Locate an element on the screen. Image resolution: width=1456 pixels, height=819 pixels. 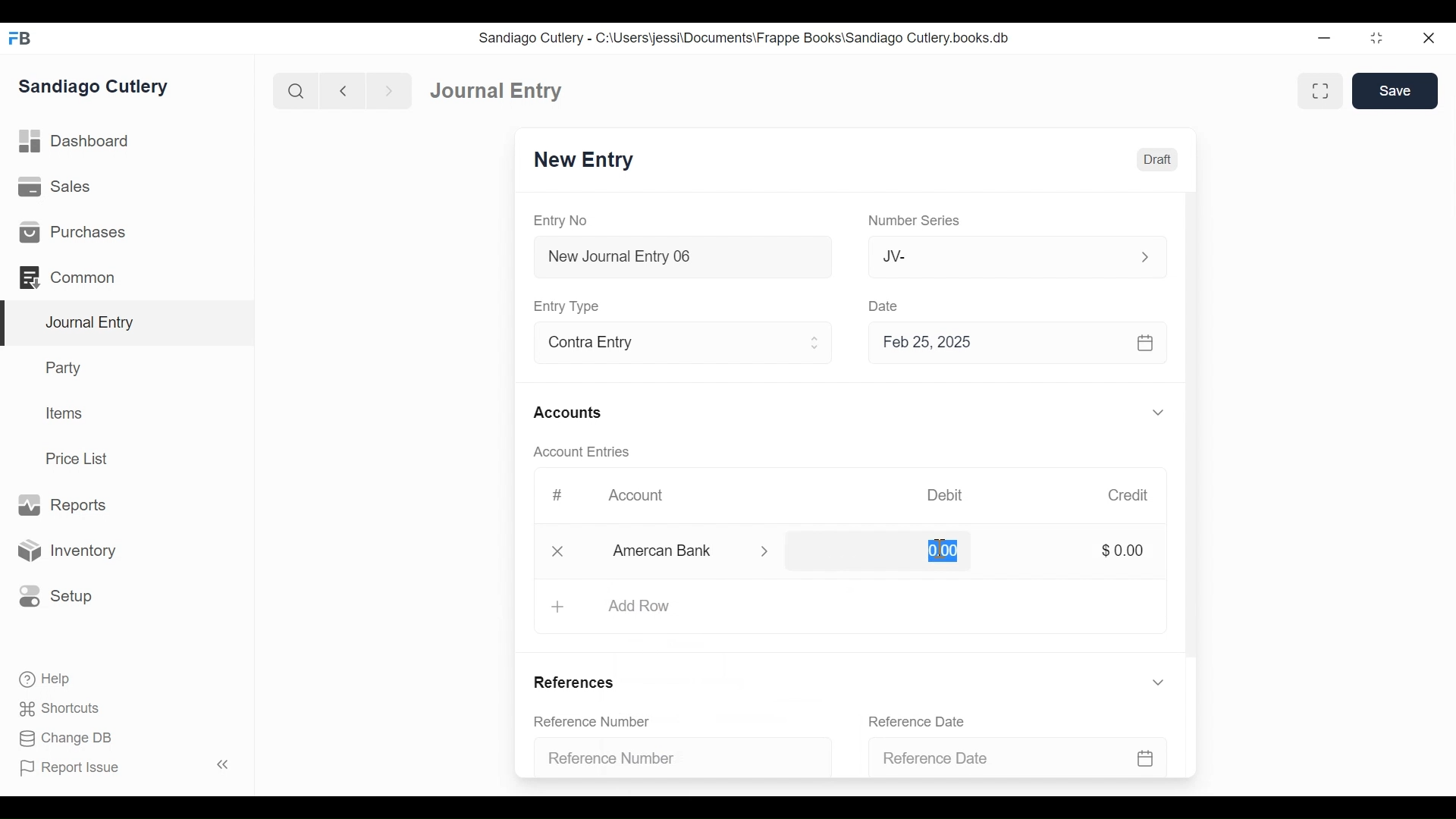
Common is located at coordinates (75, 278).